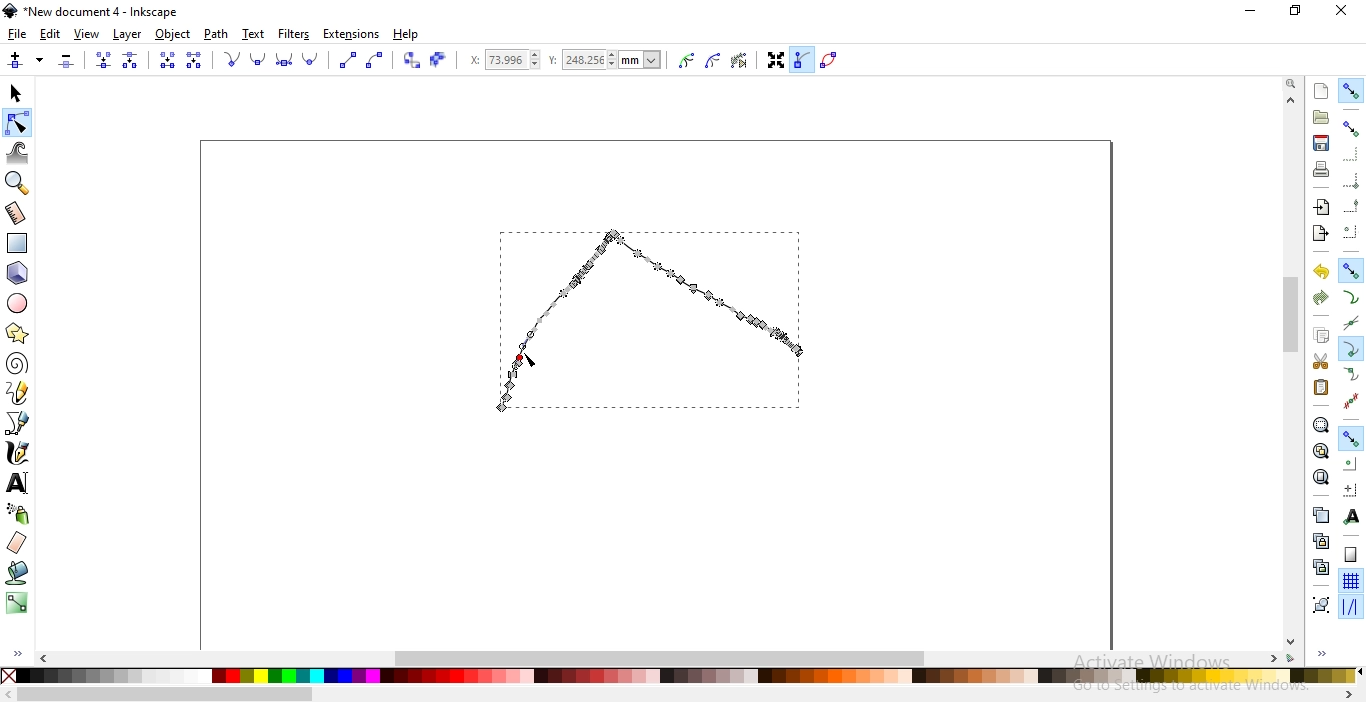 This screenshot has width=1366, height=702. What do you see at coordinates (1352, 516) in the screenshot?
I see `snap text anchors and baseline` at bounding box center [1352, 516].